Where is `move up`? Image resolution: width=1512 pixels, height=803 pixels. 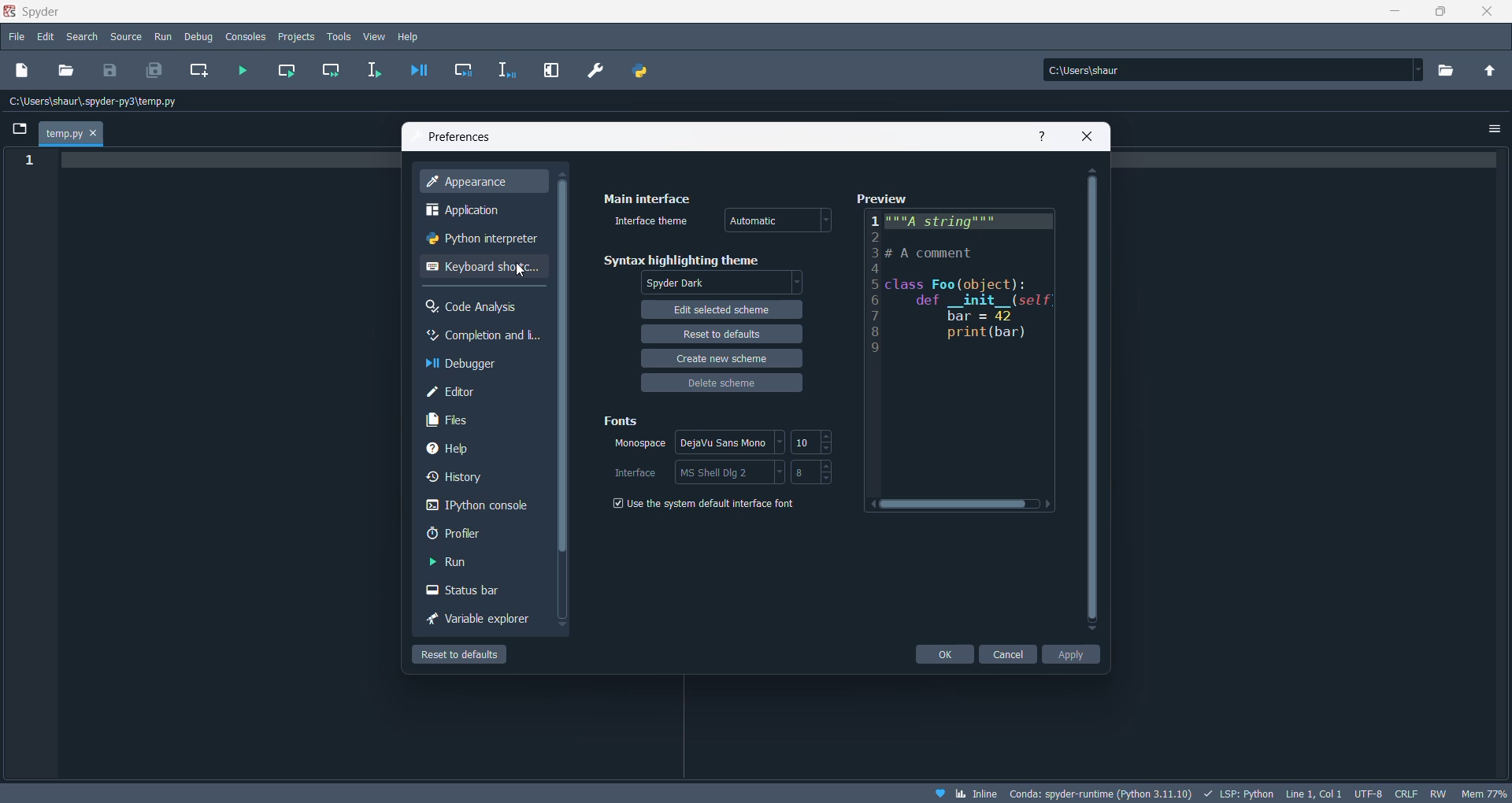 move up is located at coordinates (564, 173).